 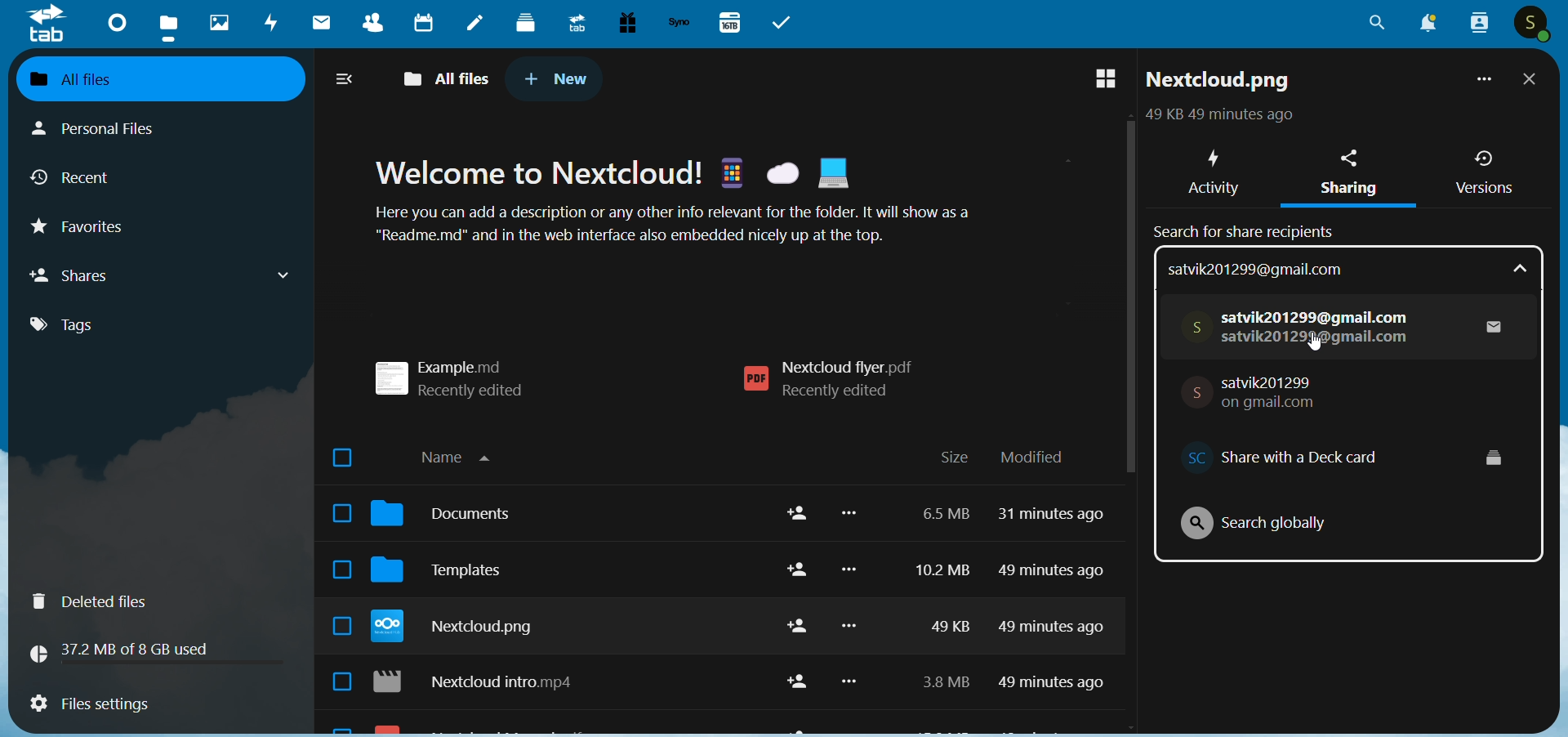 I want to click on close pane, so click(x=1530, y=81).